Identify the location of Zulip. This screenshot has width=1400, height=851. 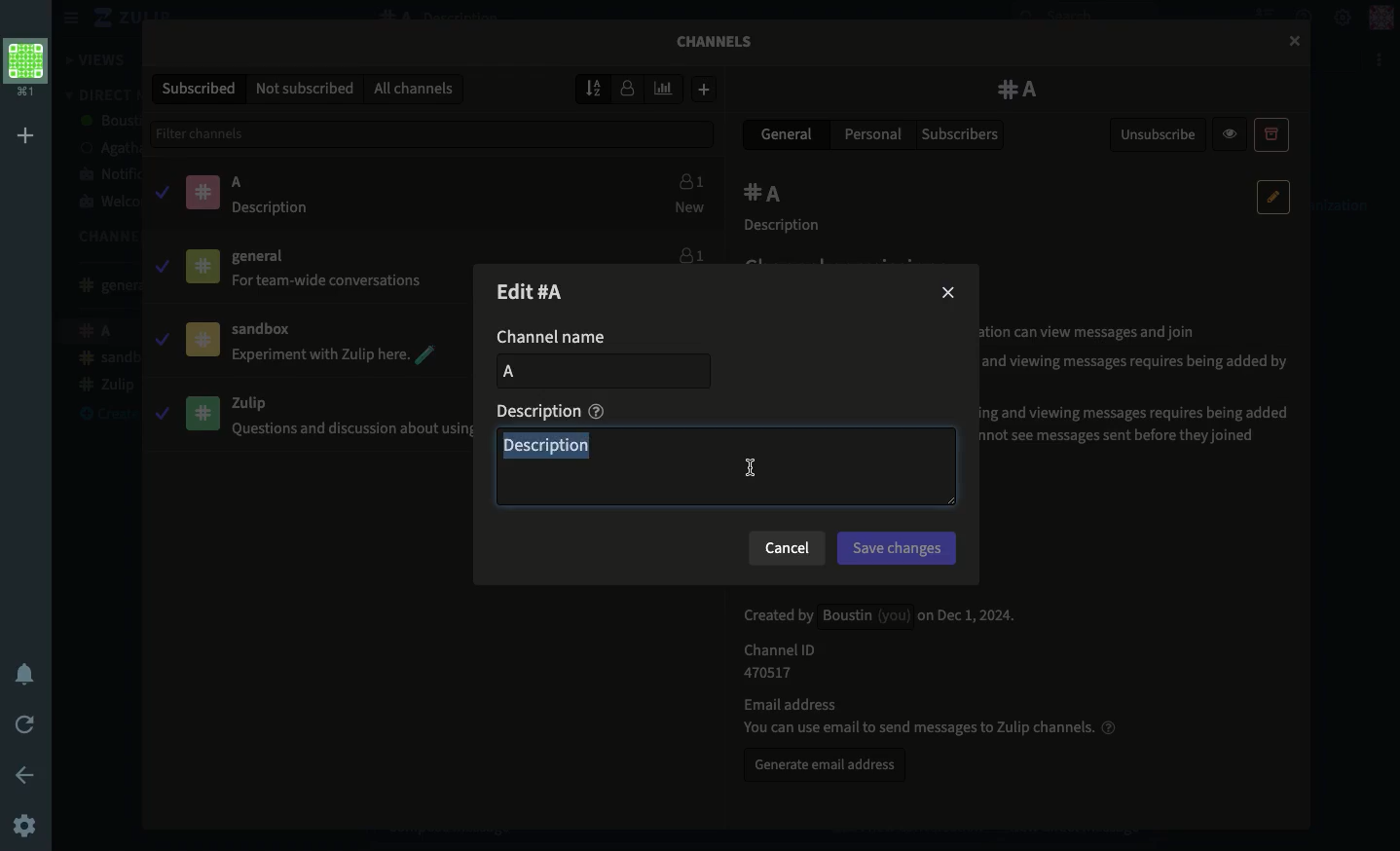
(105, 386).